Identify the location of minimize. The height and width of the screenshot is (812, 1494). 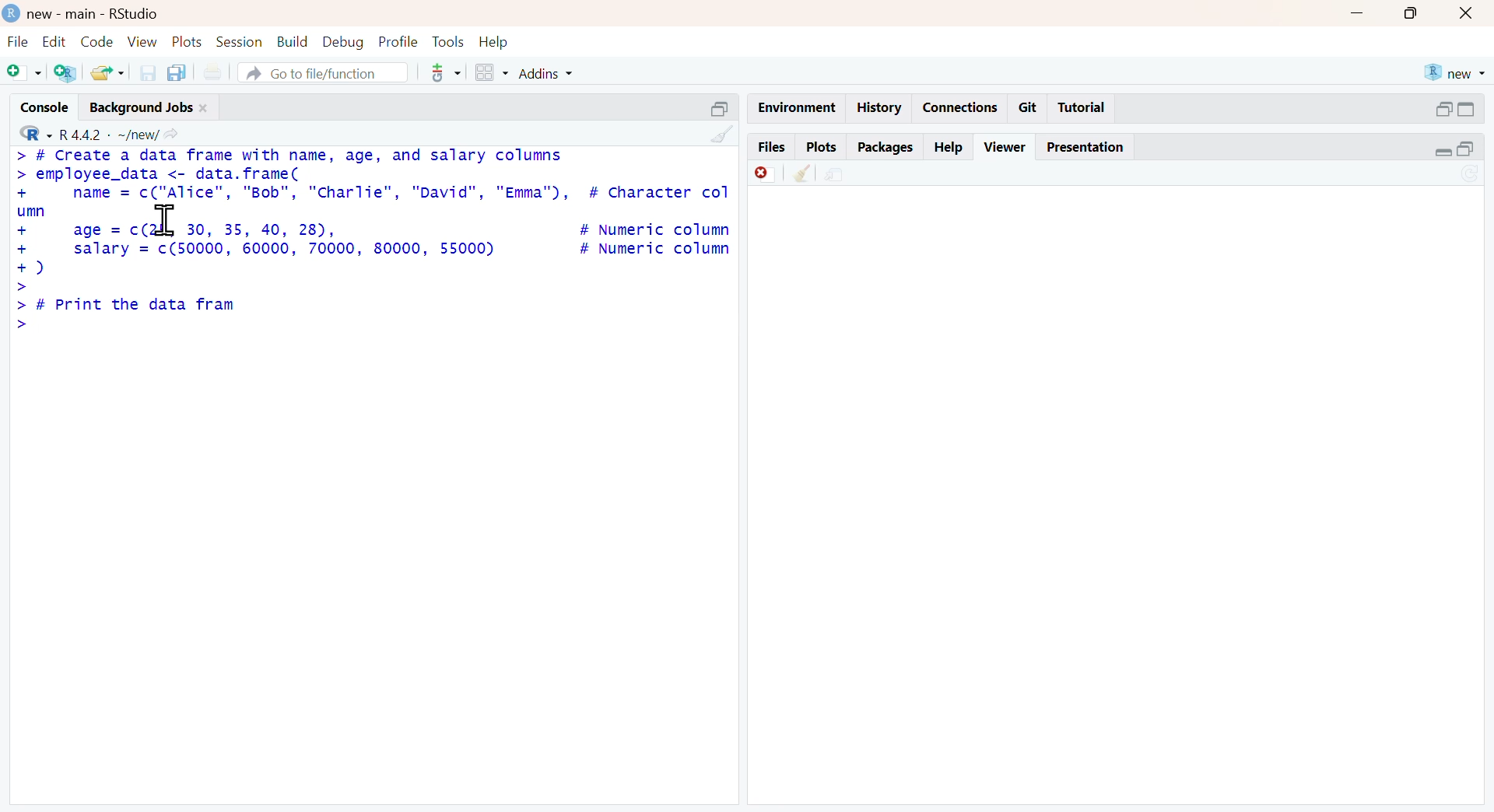
(721, 105).